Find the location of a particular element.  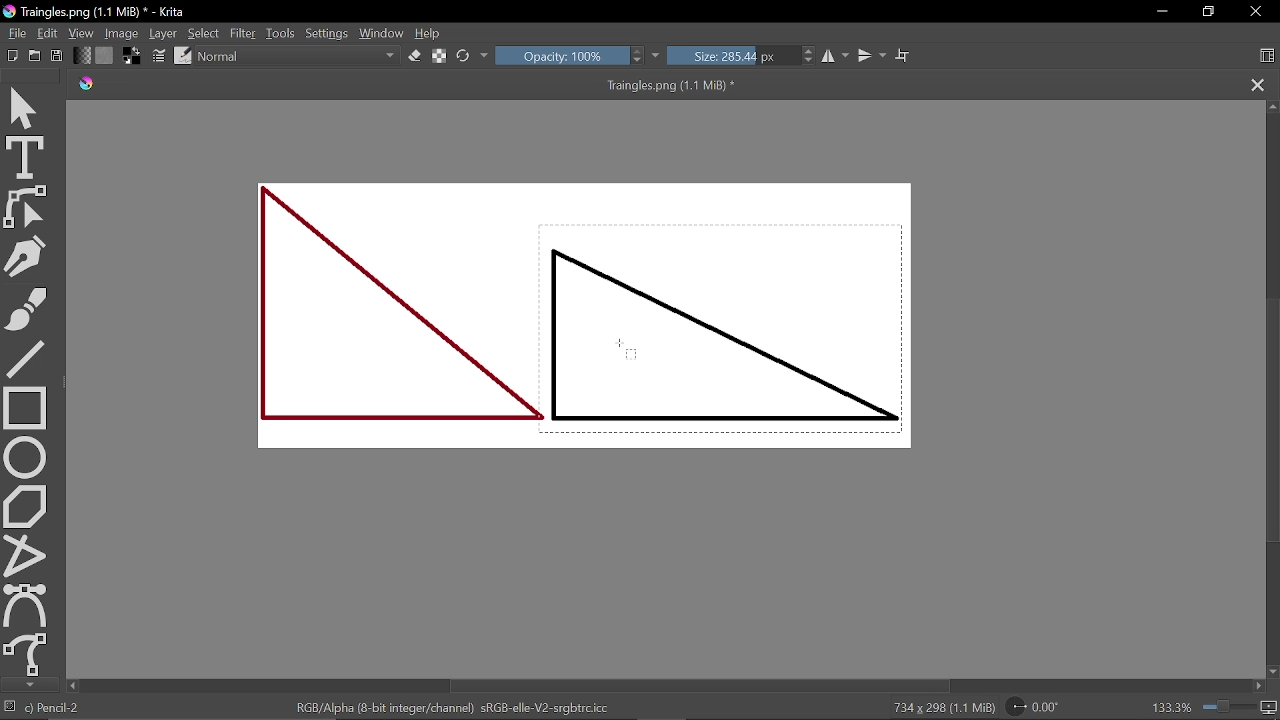

View is located at coordinates (81, 33).